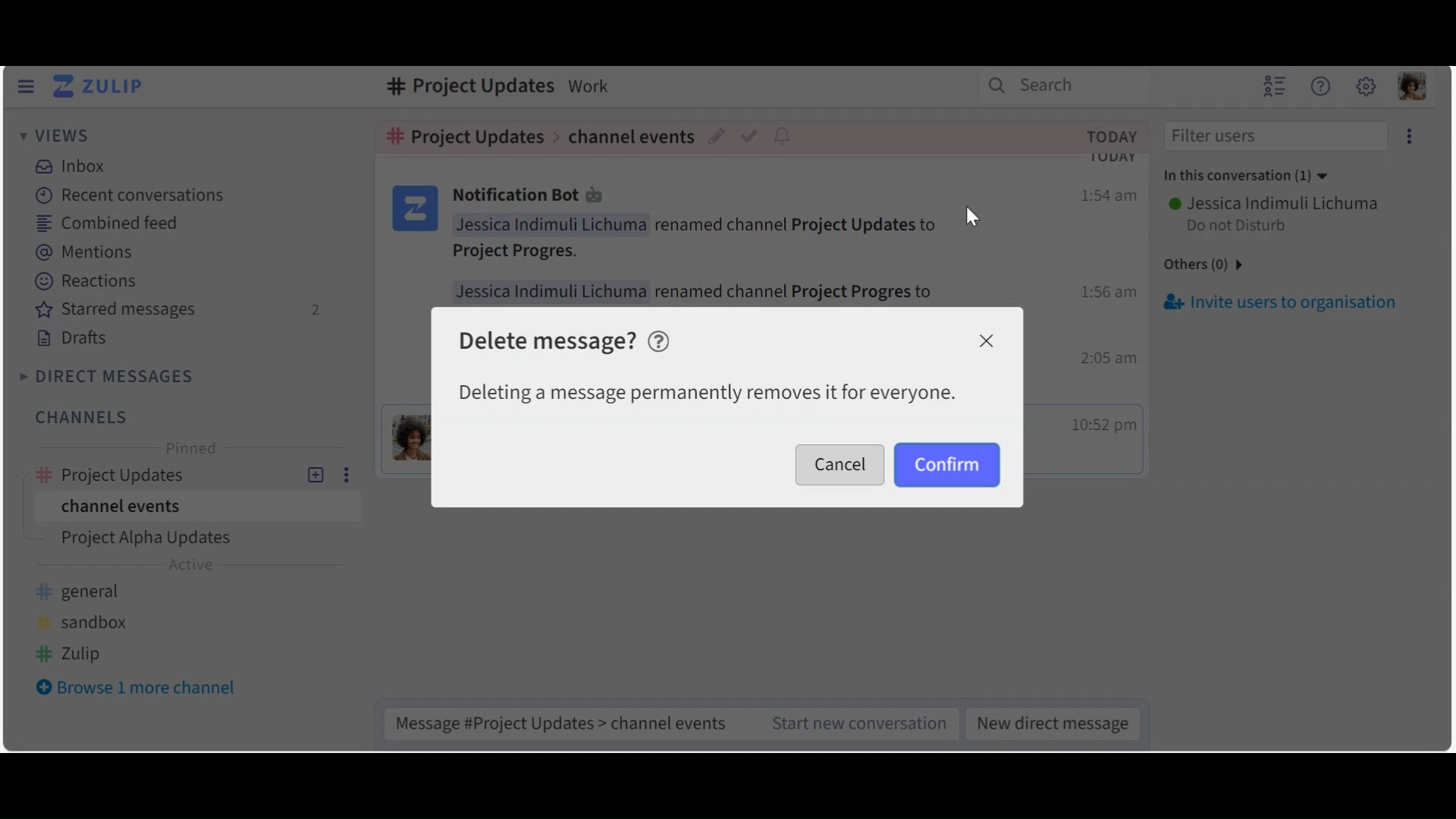 The width and height of the screenshot is (1456, 819). What do you see at coordinates (87, 591) in the screenshot?
I see `general` at bounding box center [87, 591].